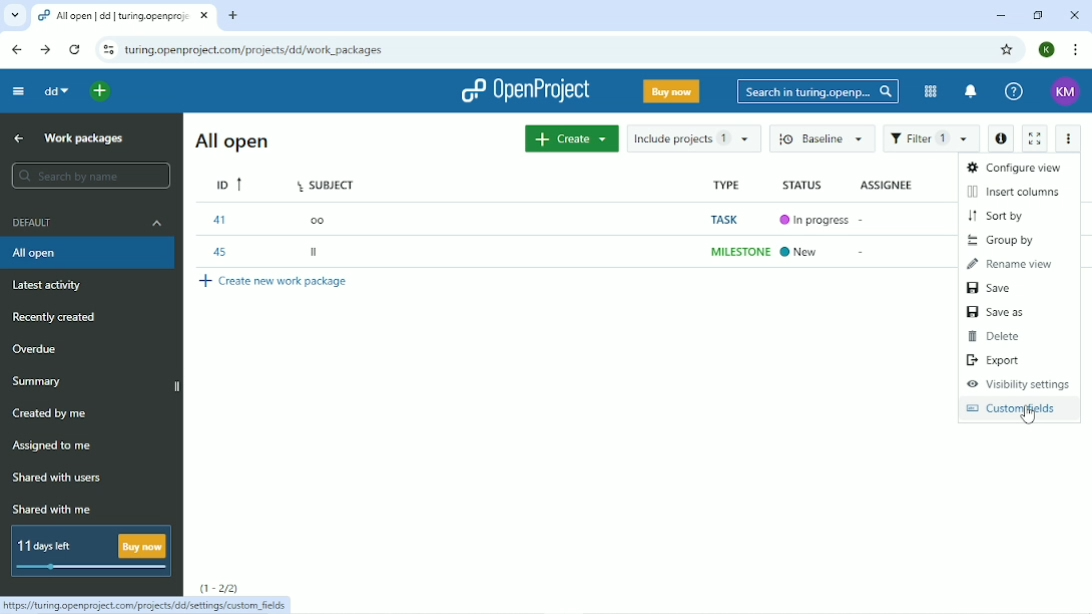 Image resolution: width=1092 pixels, height=614 pixels. Describe the element at coordinates (1013, 92) in the screenshot. I see `Help` at that location.